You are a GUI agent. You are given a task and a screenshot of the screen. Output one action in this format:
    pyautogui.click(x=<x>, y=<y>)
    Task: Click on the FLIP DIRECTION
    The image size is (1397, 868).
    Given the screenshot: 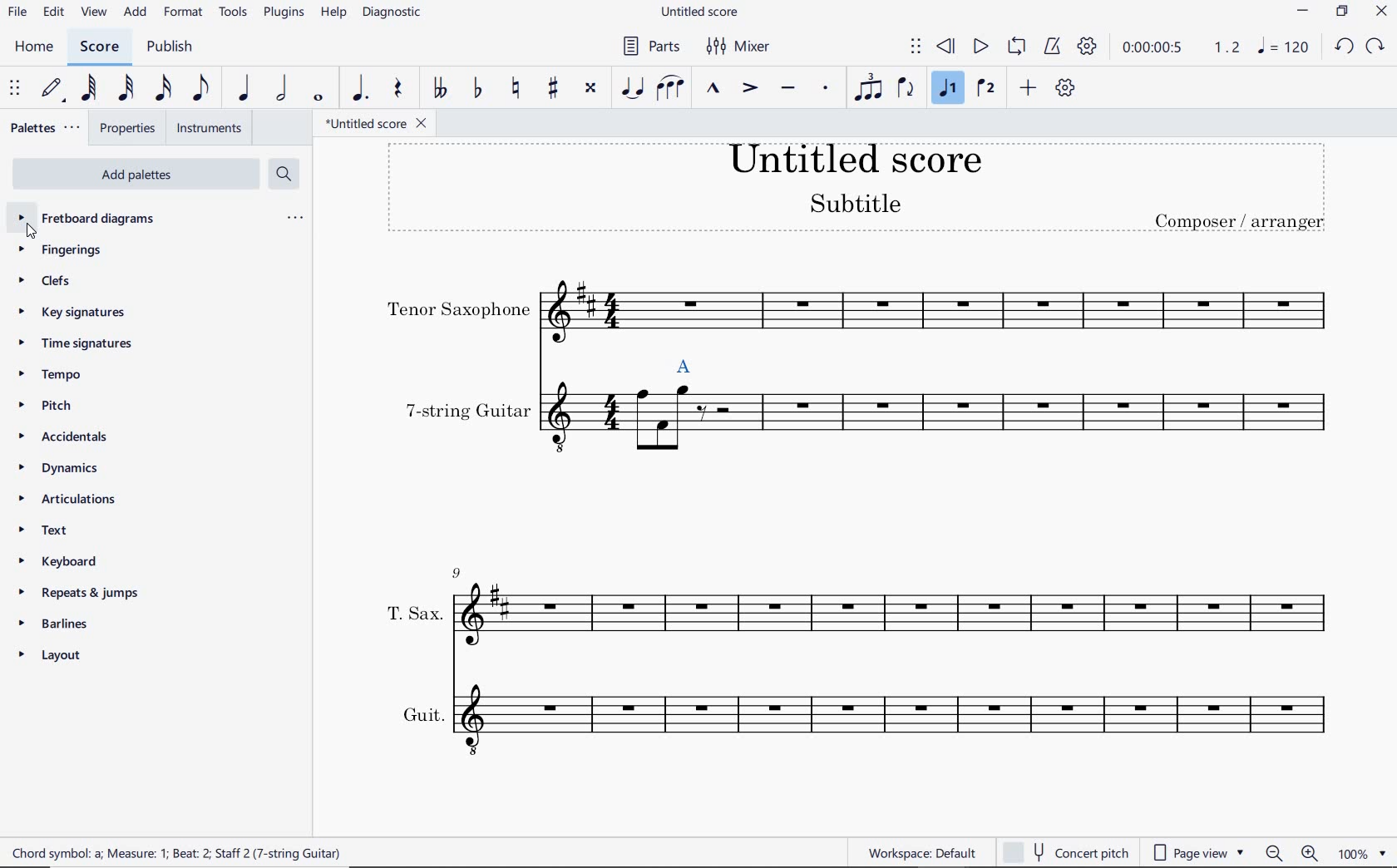 What is the action you would take?
    pyautogui.click(x=907, y=89)
    